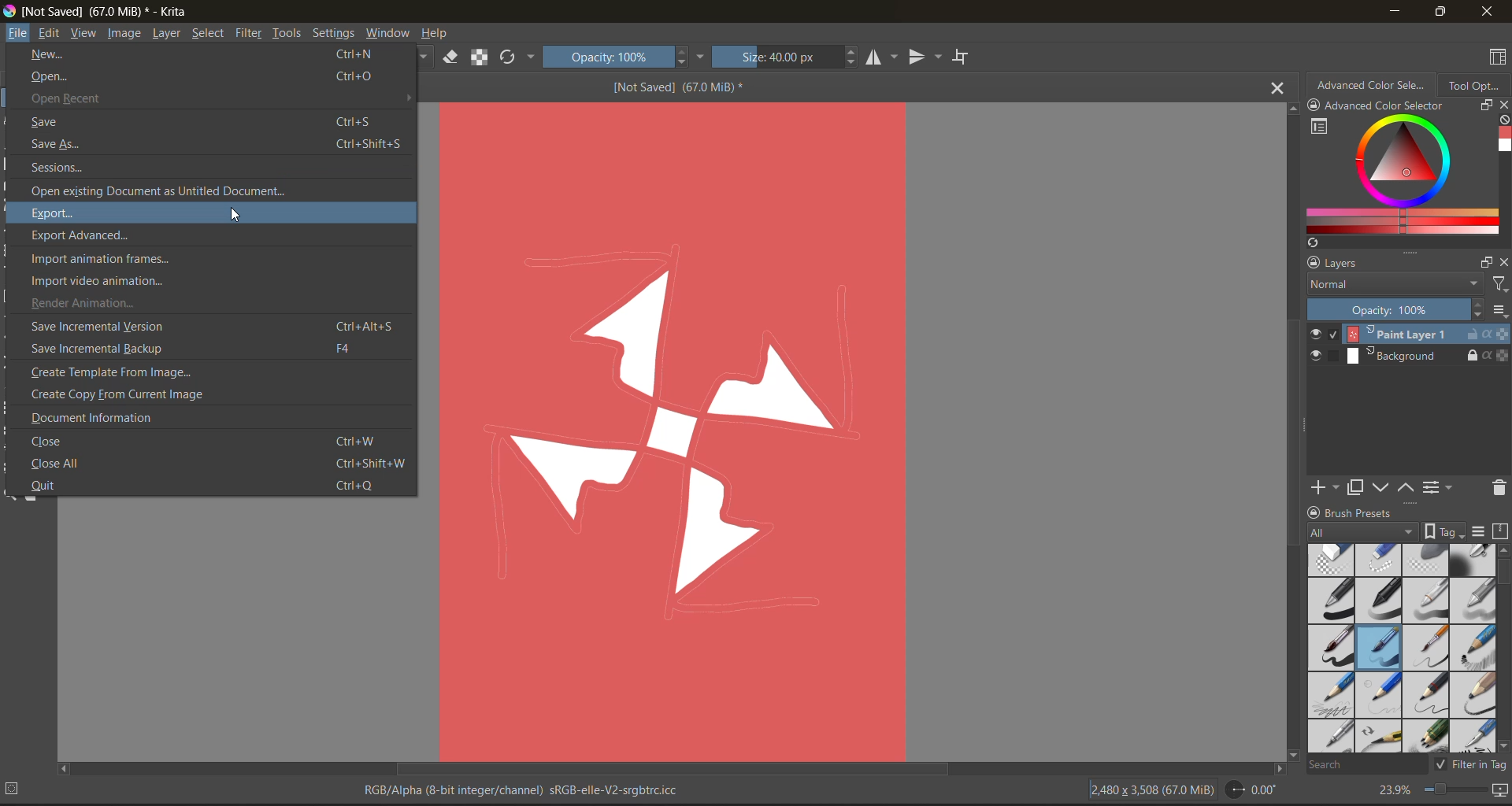 Image resolution: width=1512 pixels, height=806 pixels. I want to click on size, so click(783, 58).